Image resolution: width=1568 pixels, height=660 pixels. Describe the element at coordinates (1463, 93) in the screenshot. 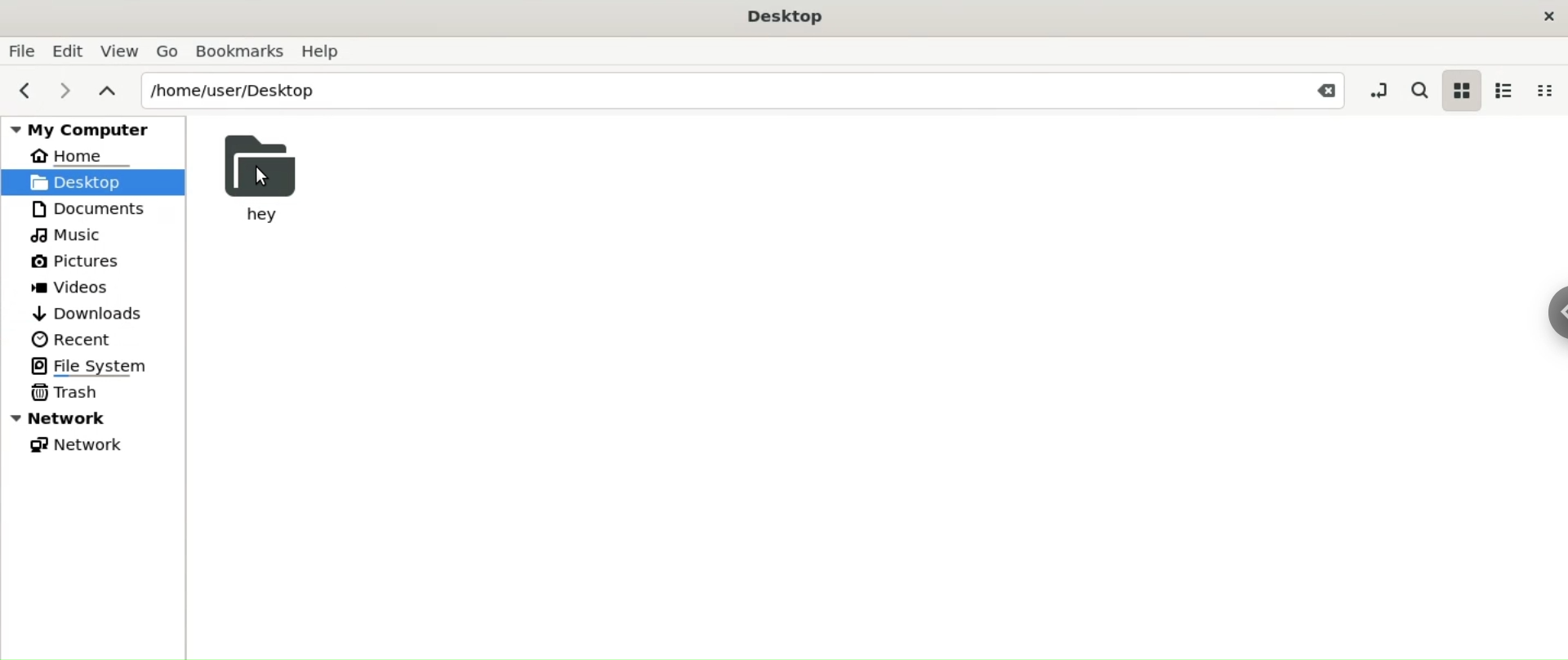

I see `icon view` at that location.